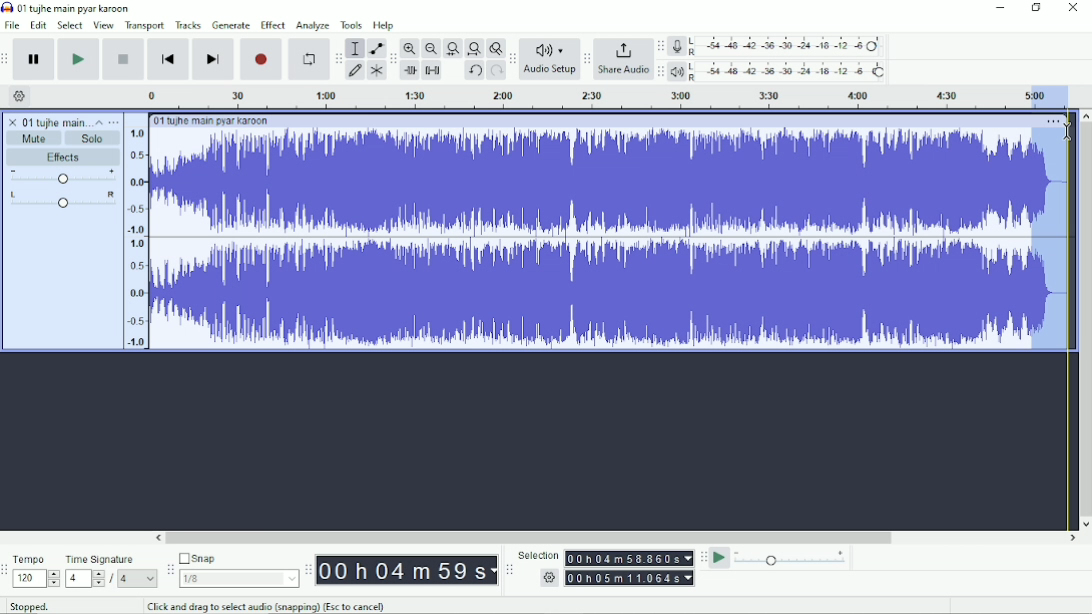  What do you see at coordinates (309, 60) in the screenshot?
I see `Enable looping` at bounding box center [309, 60].